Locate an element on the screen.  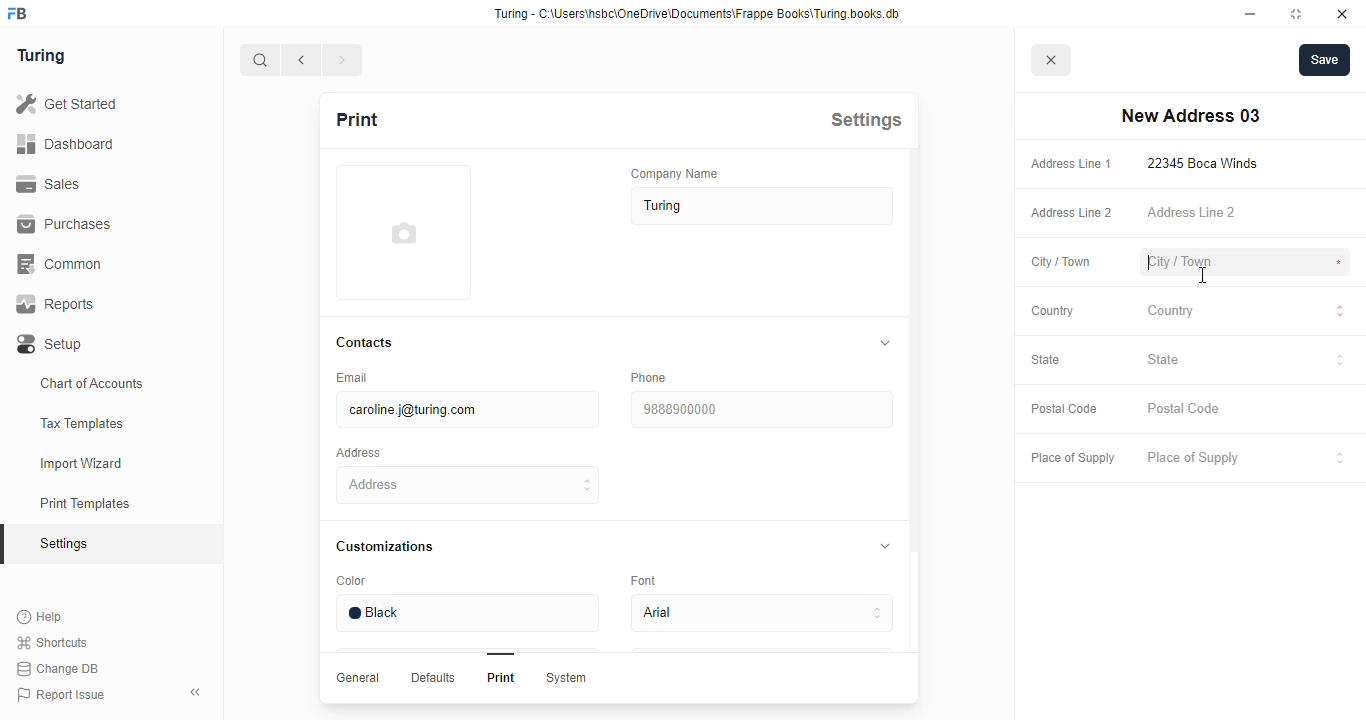
place of supply is located at coordinates (1247, 459).